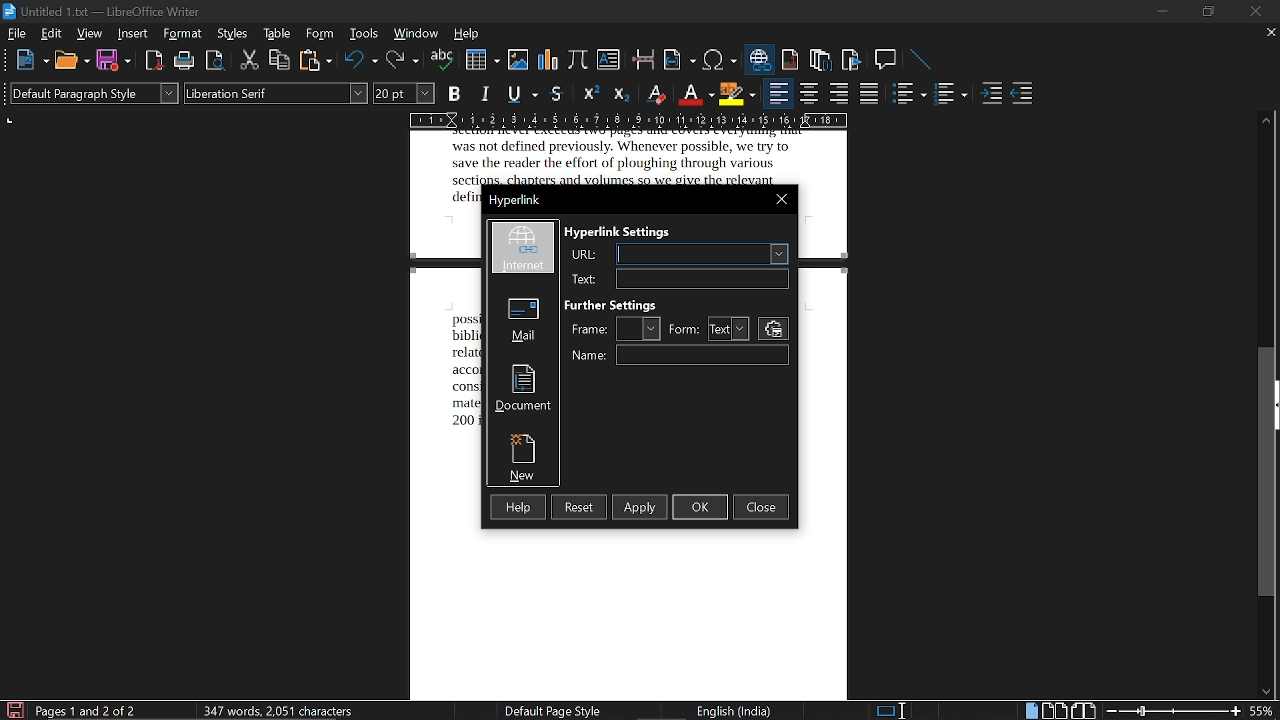 The height and width of the screenshot is (720, 1280). What do you see at coordinates (910, 95) in the screenshot?
I see `toggle ordered list` at bounding box center [910, 95].